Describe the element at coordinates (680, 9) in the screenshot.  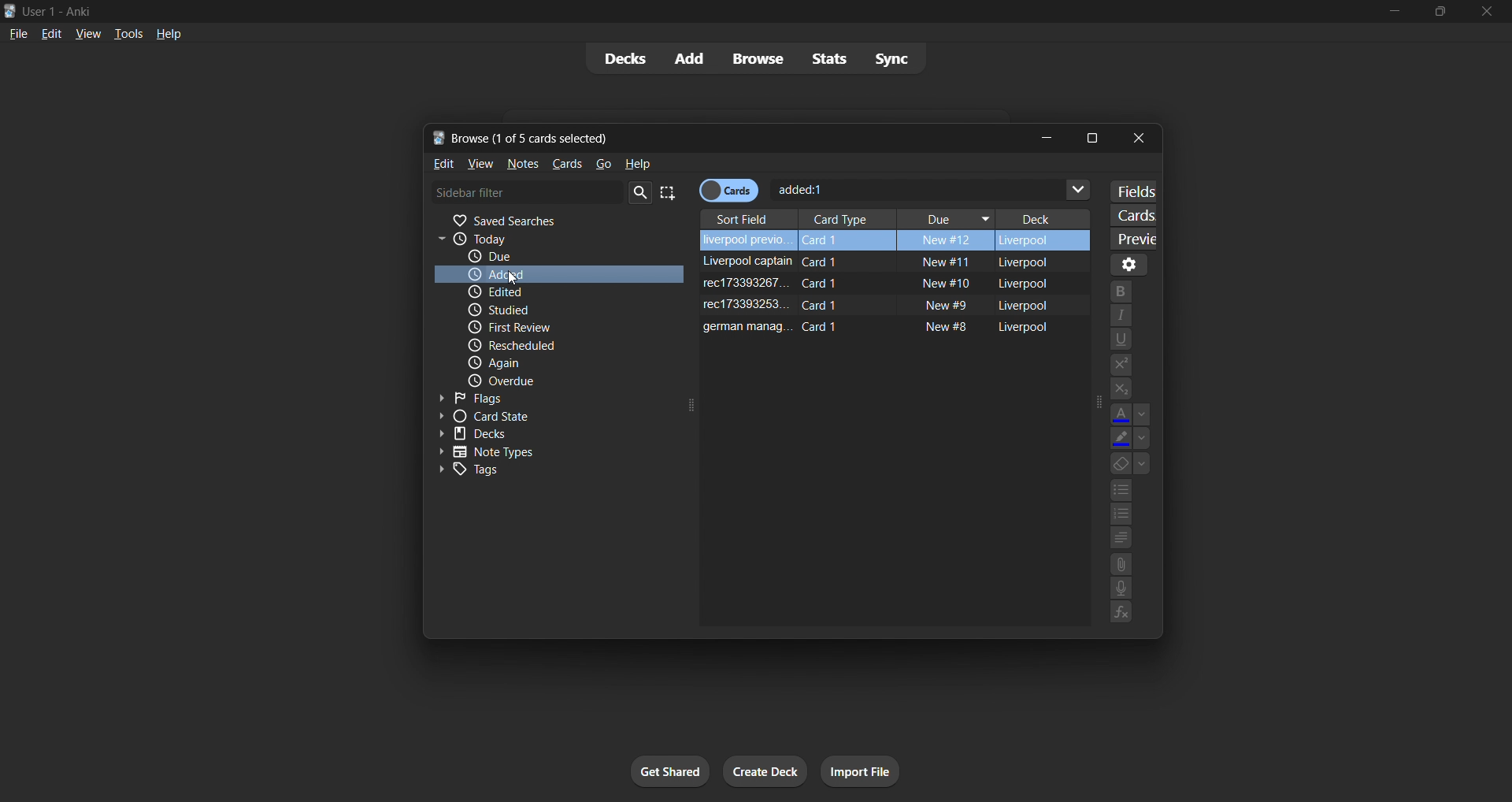
I see `user 1- Anki` at that location.